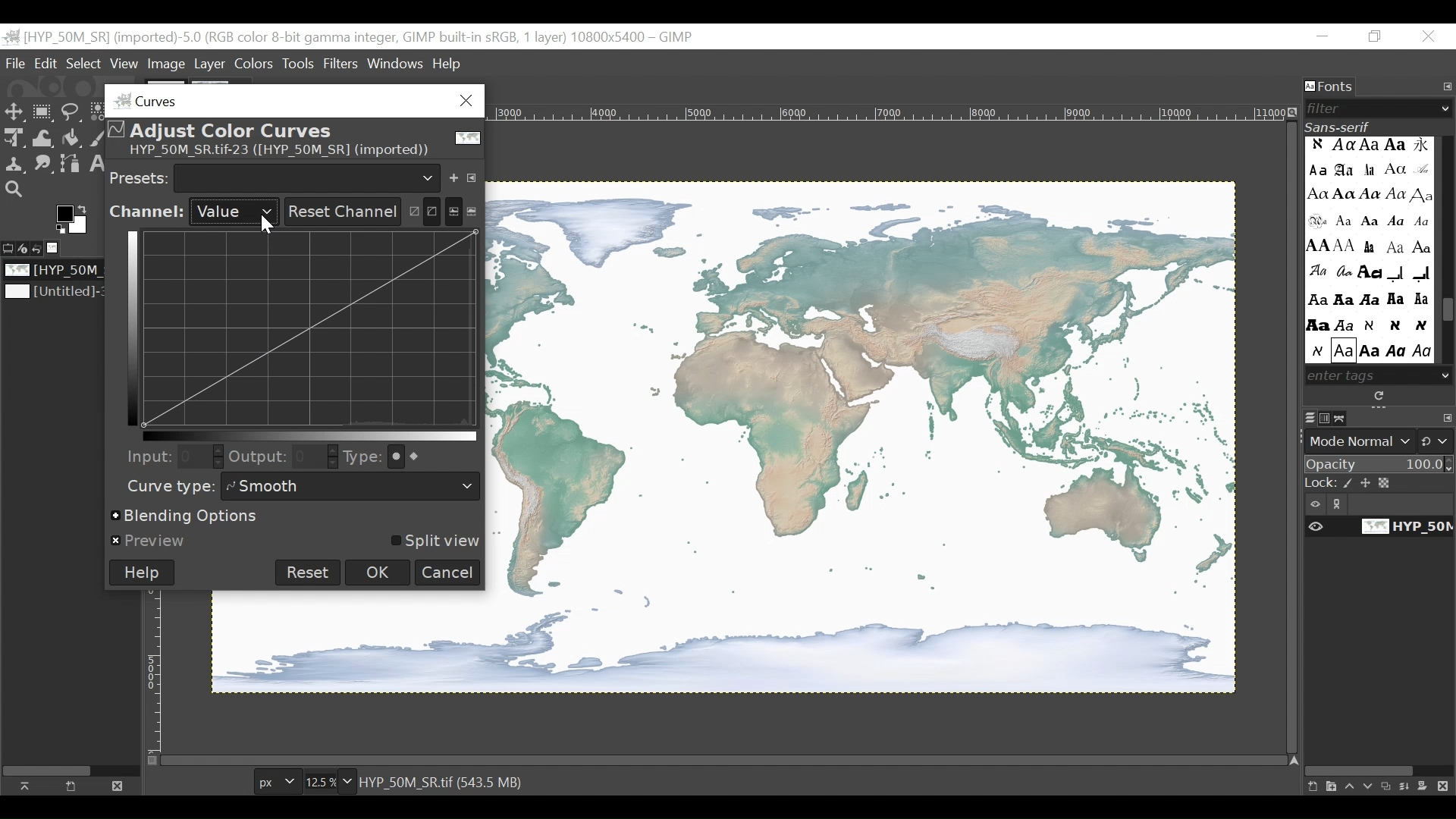  I want to click on Reset, so click(308, 573).